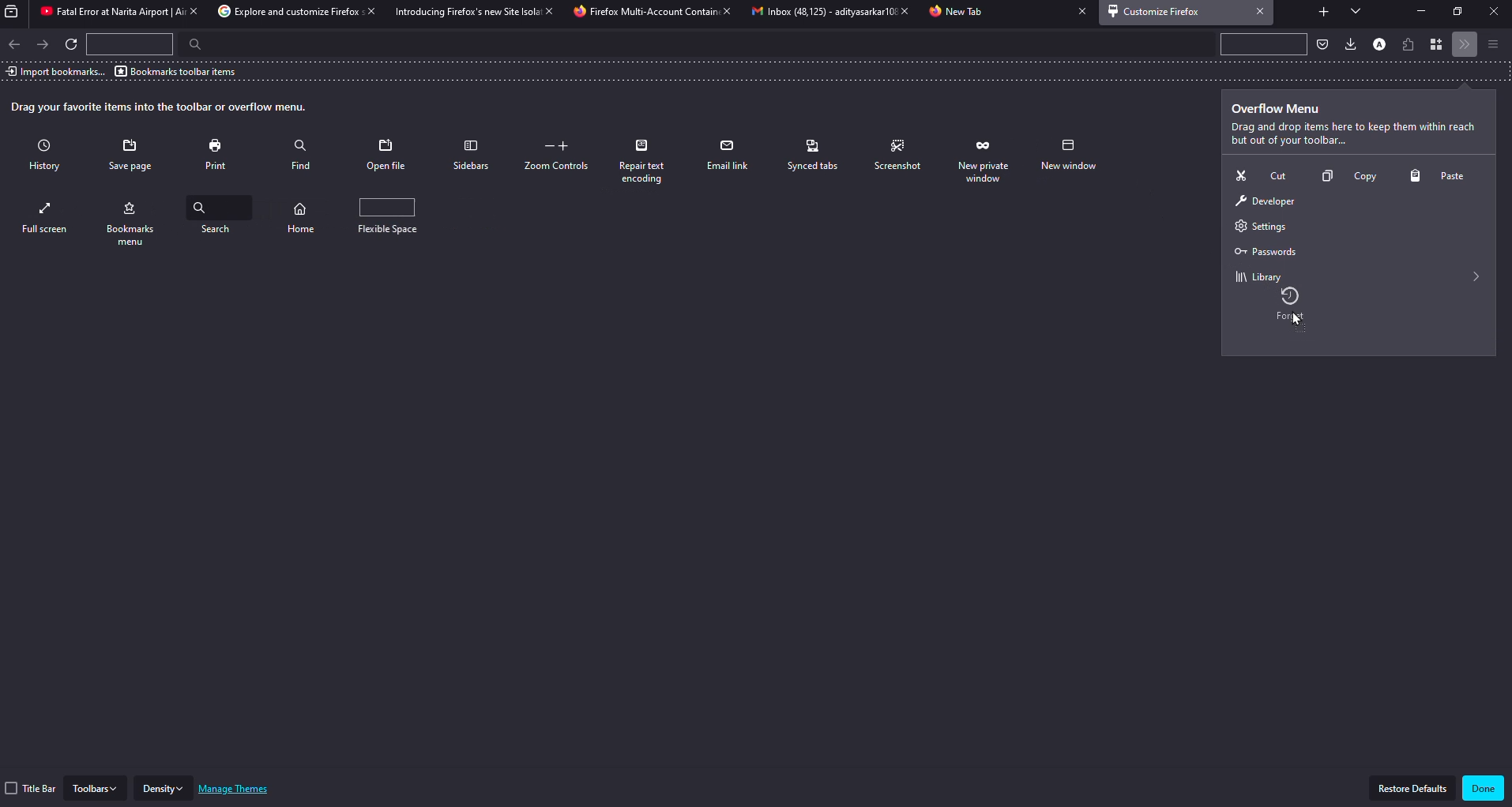 This screenshot has width=1512, height=807. I want to click on paste, so click(1442, 176).